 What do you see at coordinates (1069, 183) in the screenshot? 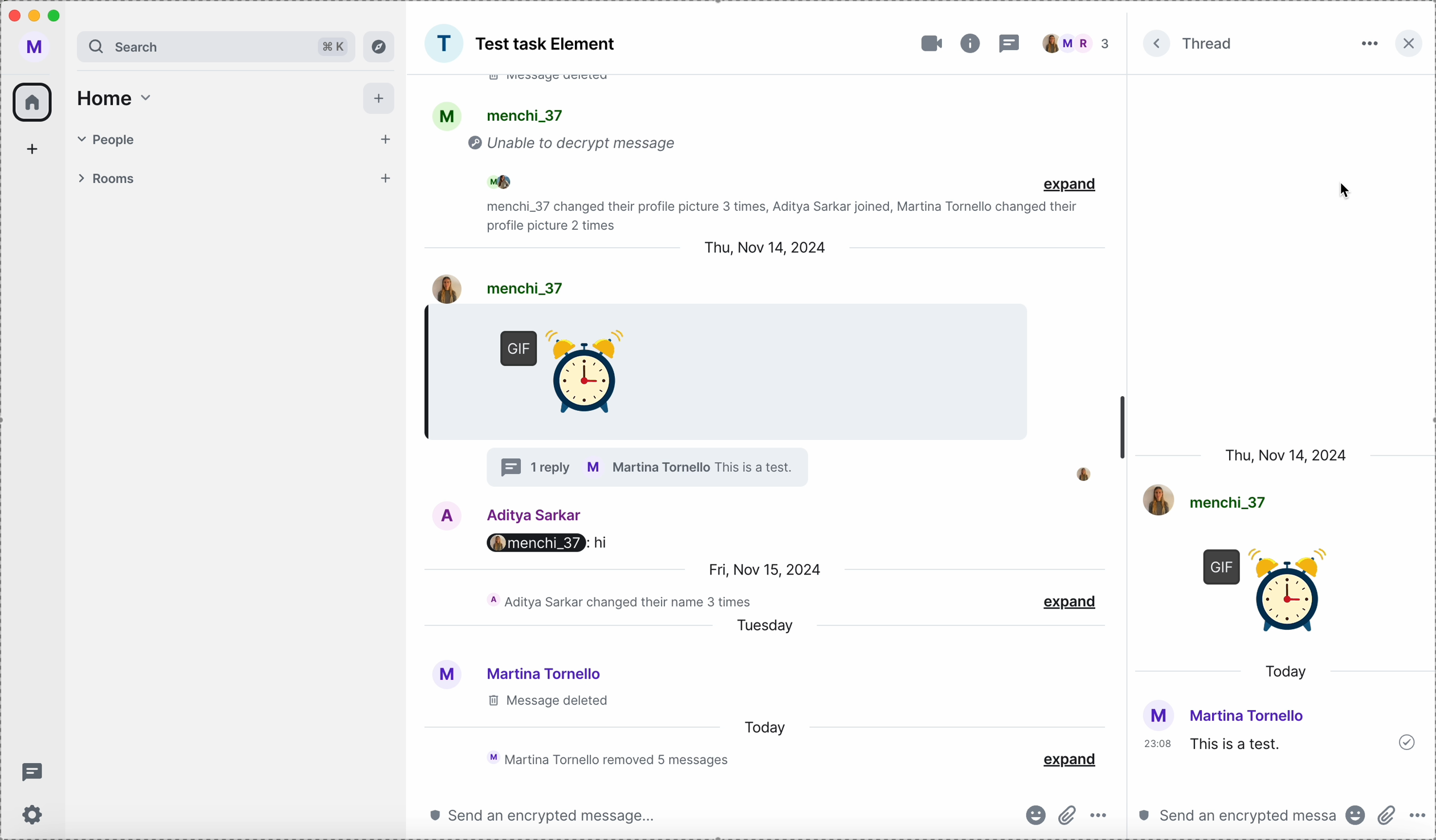
I see `expand` at bounding box center [1069, 183].